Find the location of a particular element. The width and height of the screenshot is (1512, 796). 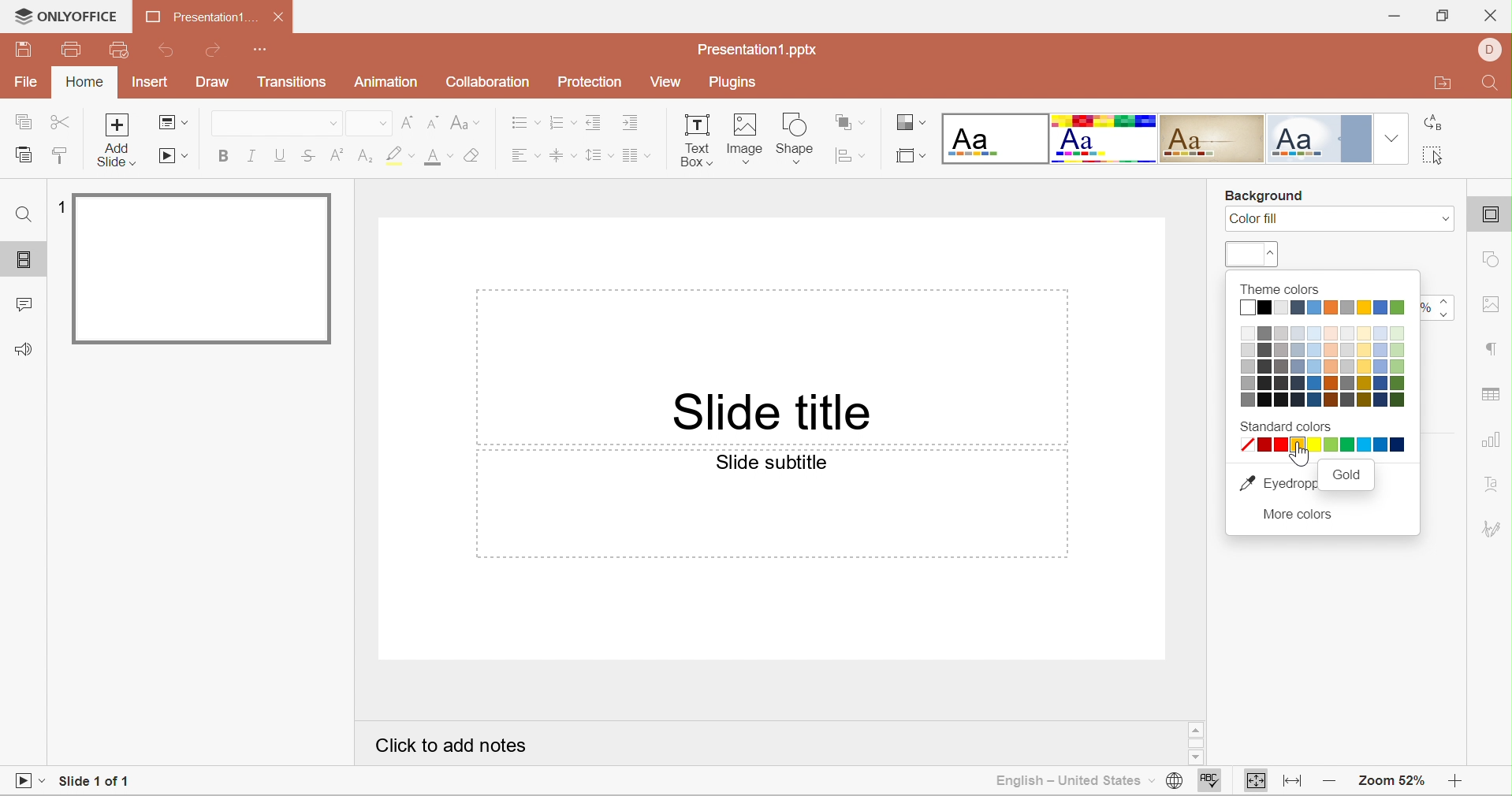

shape settings is located at coordinates (1495, 262).